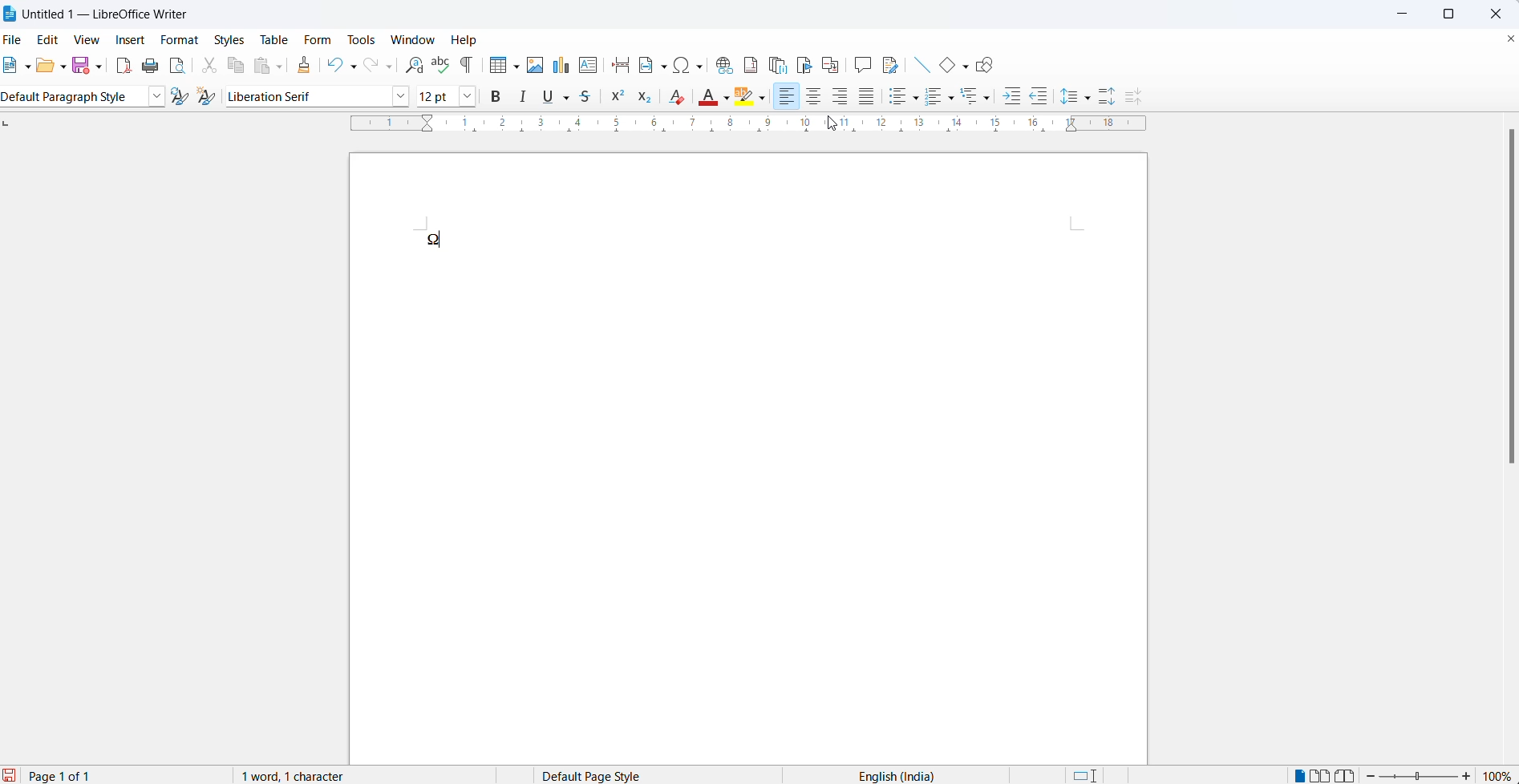 The height and width of the screenshot is (784, 1519). Describe the element at coordinates (589, 65) in the screenshot. I see `add text` at that location.